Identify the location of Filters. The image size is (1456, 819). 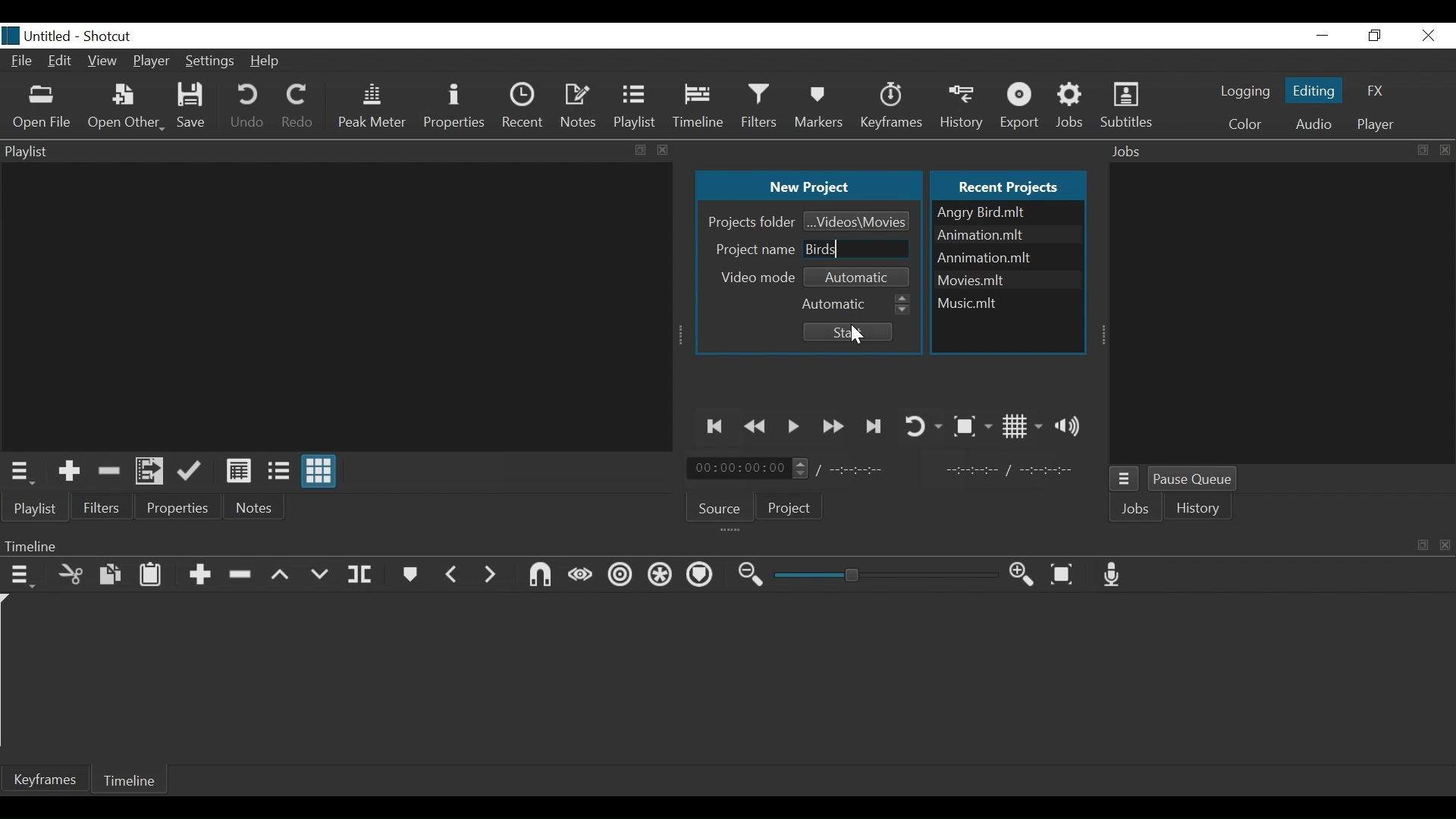
(762, 105).